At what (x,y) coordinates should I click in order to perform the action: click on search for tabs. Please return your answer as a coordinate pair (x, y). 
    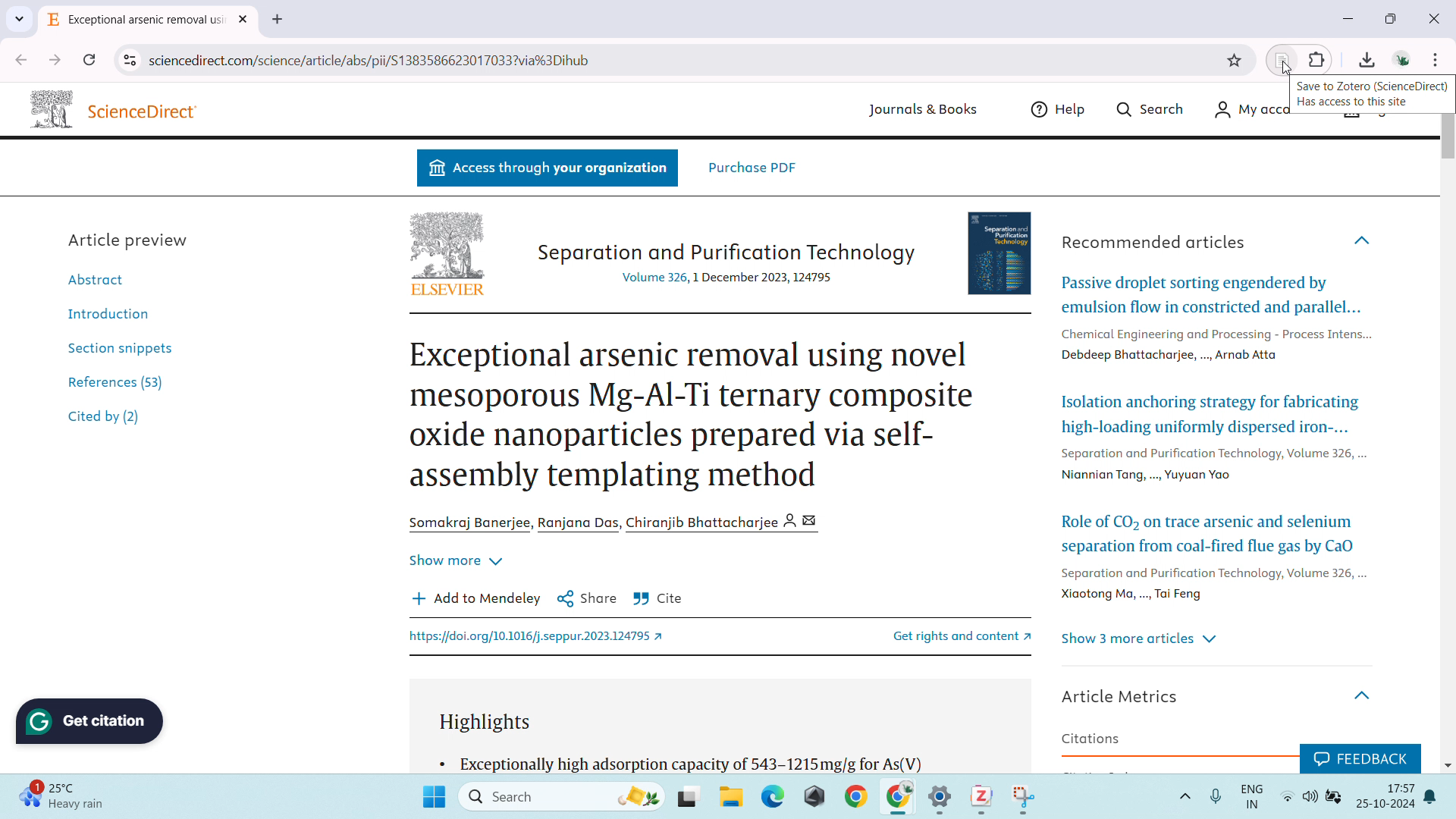
    Looking at the image, I should click on (19, 19).